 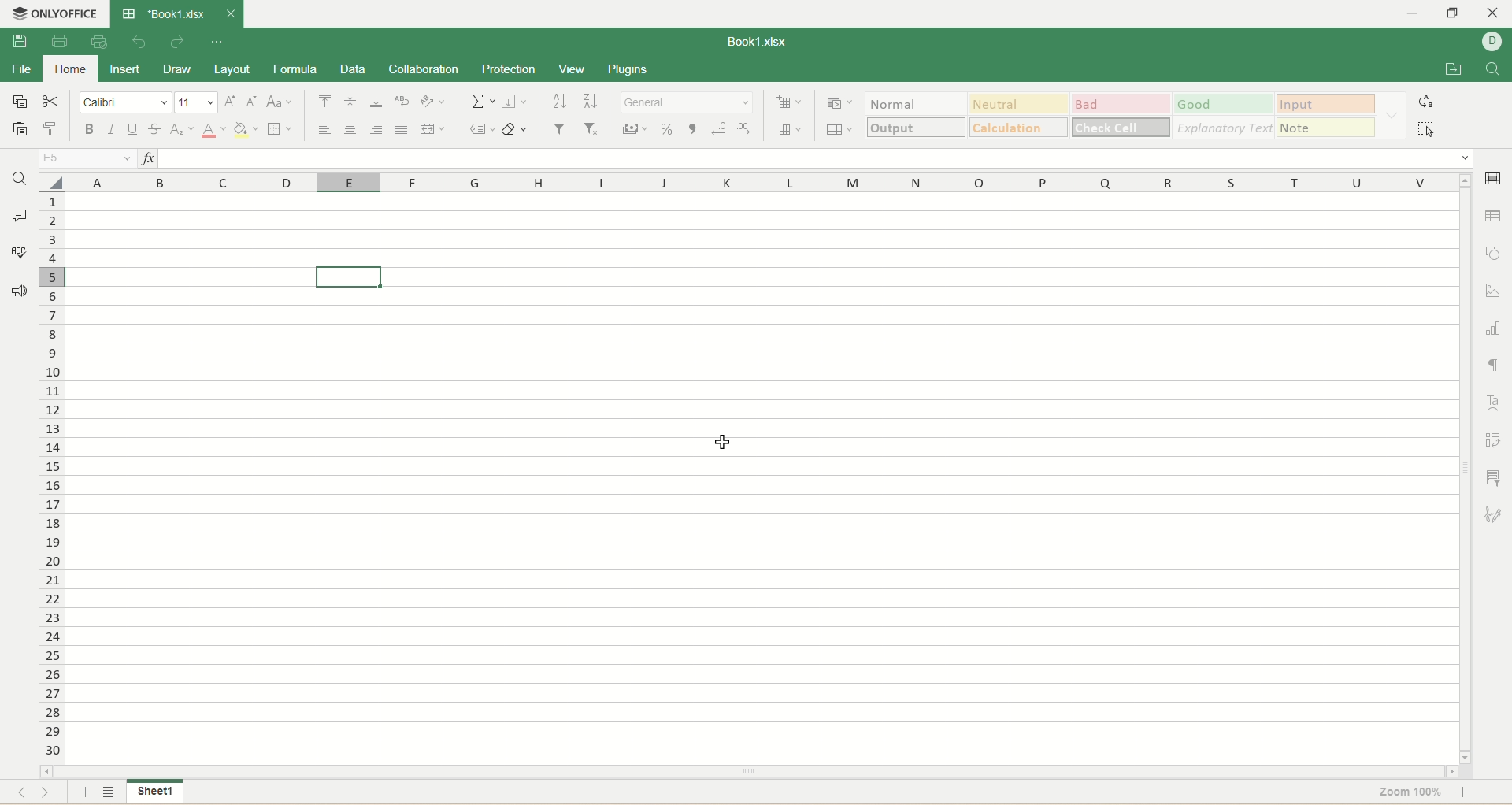 I want to click on percent style, so click(x=668, y=129).